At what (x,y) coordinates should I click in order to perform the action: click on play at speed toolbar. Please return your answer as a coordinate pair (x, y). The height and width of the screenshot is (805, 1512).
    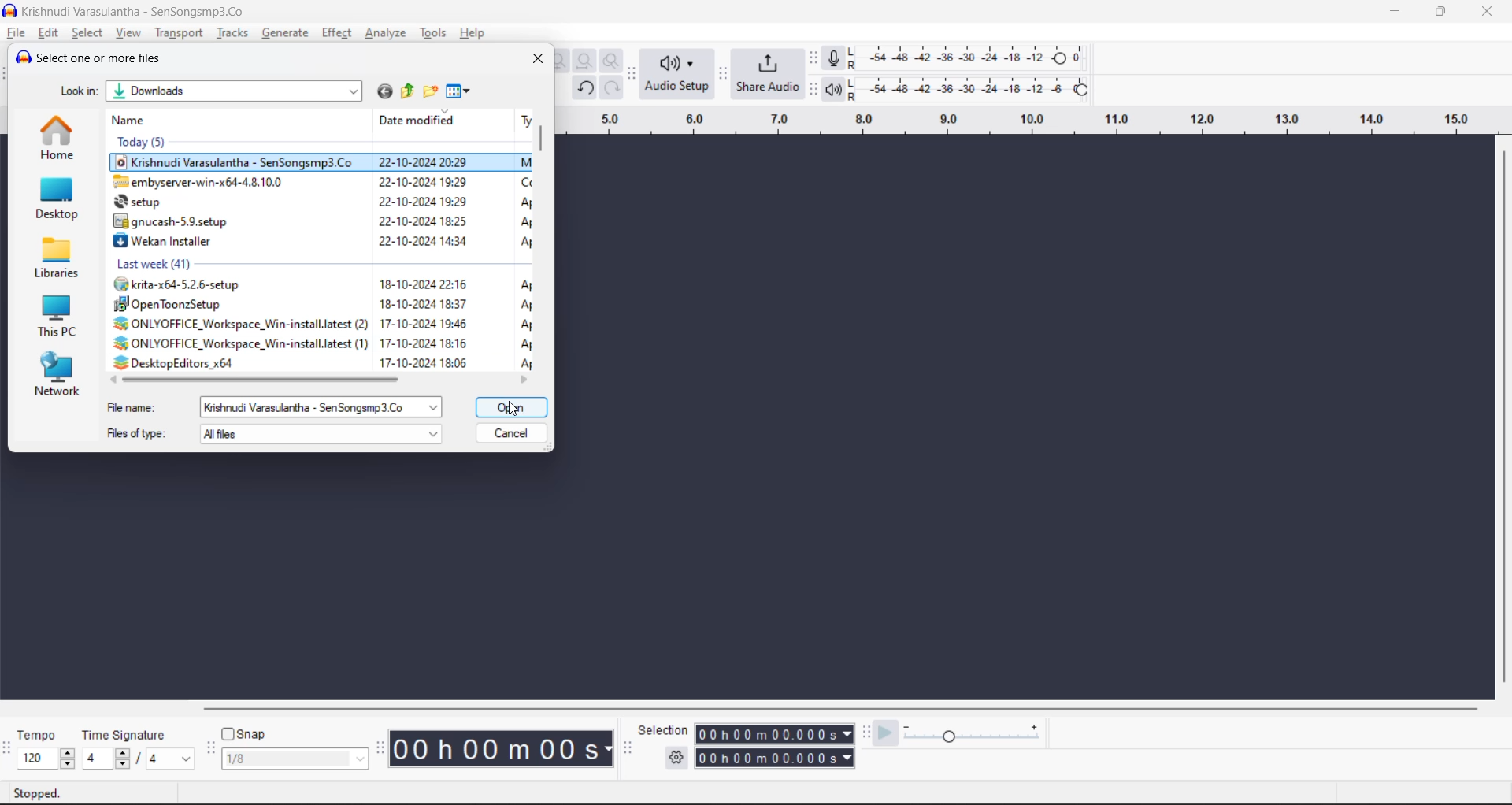
    Looking at the image, I should click on (867, 732).